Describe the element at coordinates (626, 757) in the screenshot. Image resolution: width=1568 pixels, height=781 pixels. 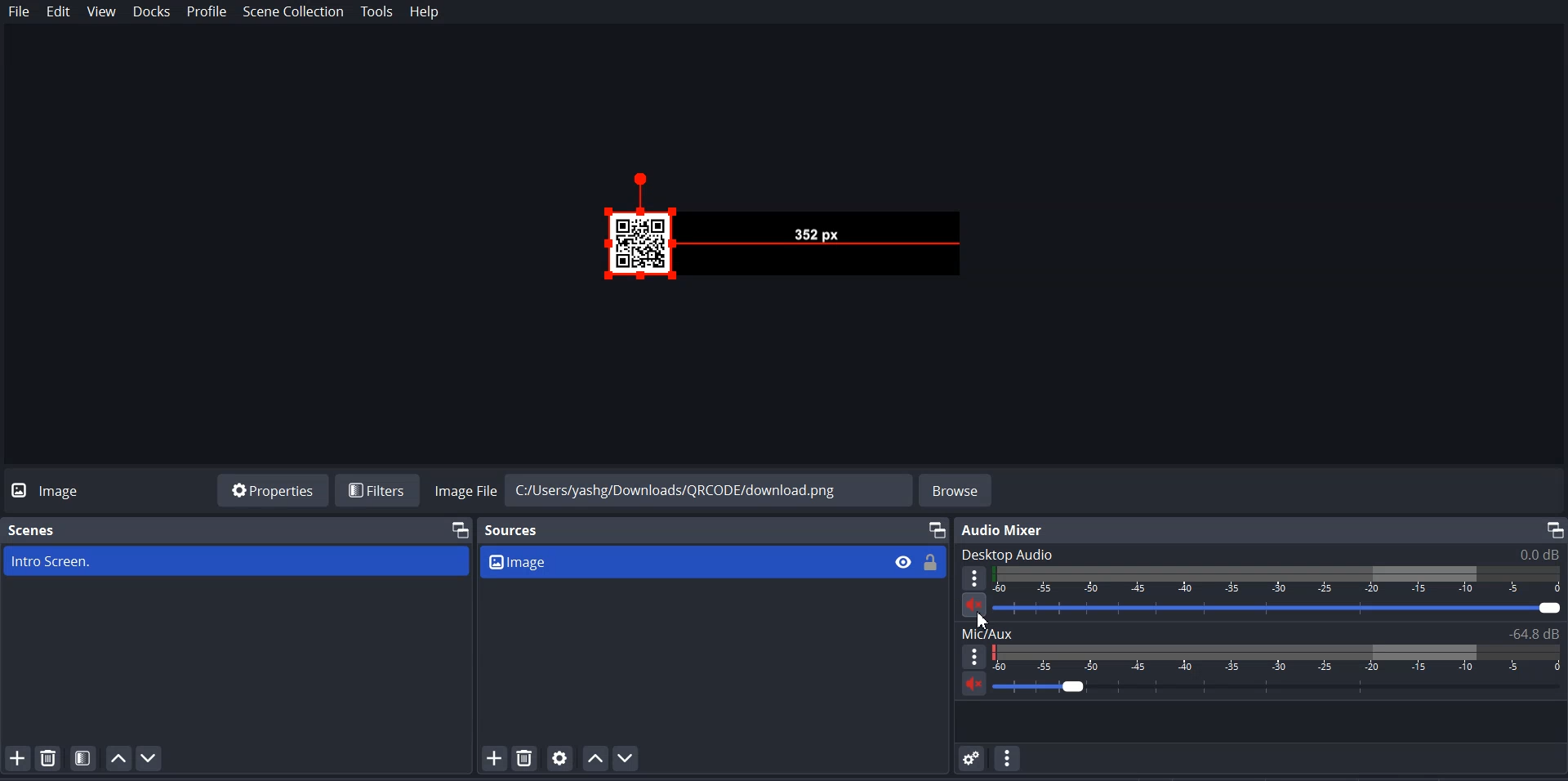
I see `Move Source Down` at that location.